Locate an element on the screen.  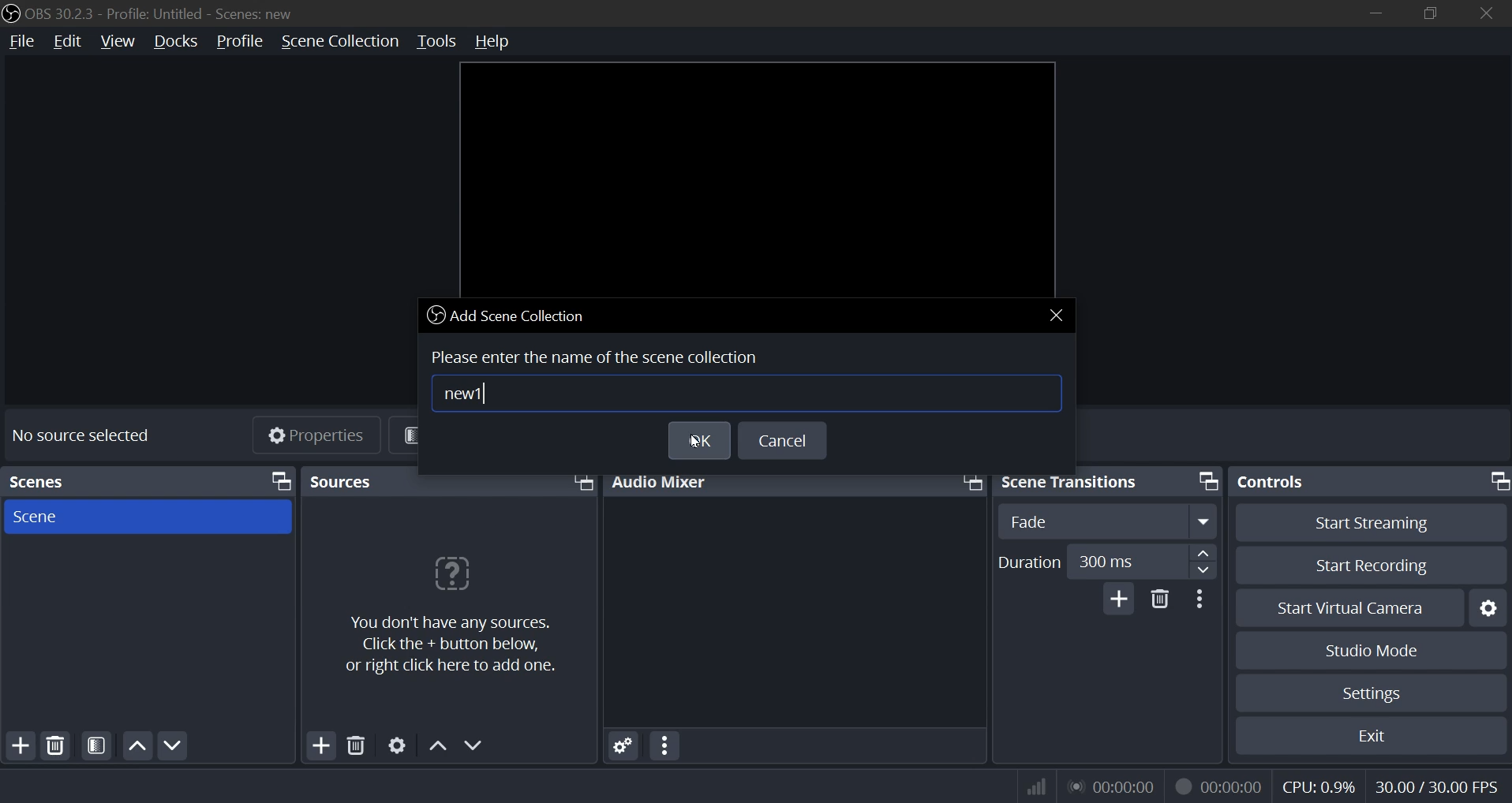
tools is located at coordinates (436, 42).